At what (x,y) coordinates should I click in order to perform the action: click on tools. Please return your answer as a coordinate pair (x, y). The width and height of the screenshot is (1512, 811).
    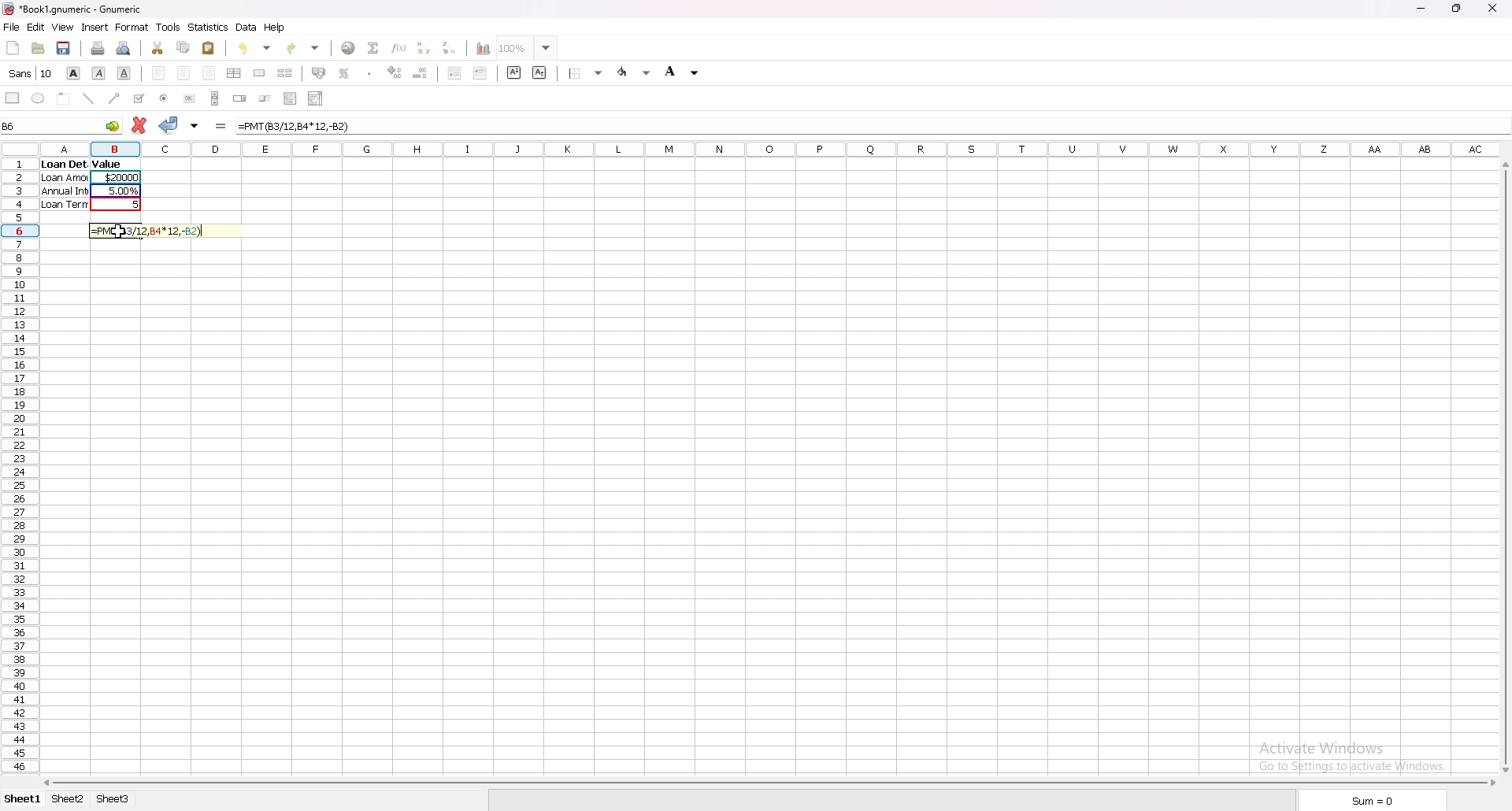
    Looking at the image, I should click on (168, 28).